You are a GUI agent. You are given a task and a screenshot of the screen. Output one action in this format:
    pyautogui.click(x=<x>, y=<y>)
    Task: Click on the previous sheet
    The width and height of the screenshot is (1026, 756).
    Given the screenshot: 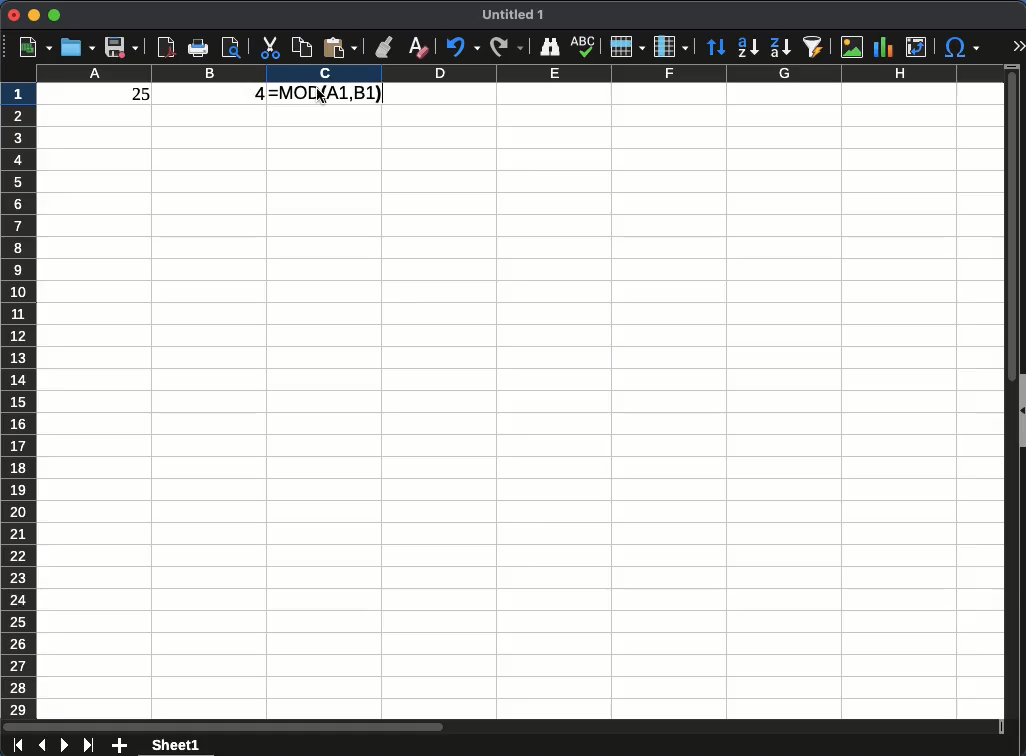 What is the action you would take?
    pyautogui.click(x=42, y=745)
    